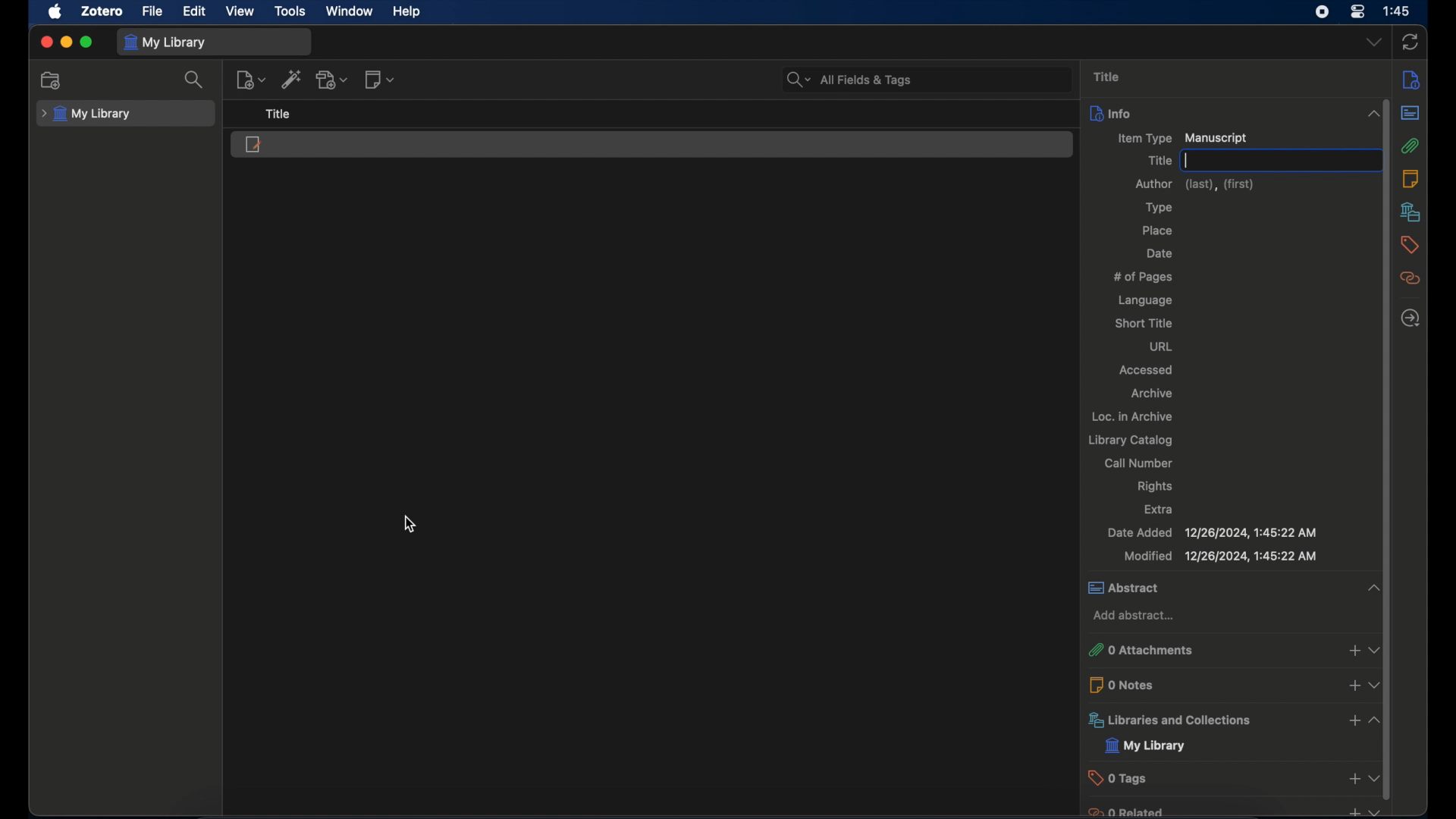  Describe the element at coordinates (290, 12) in the screenshot. I see `tools` at that location.